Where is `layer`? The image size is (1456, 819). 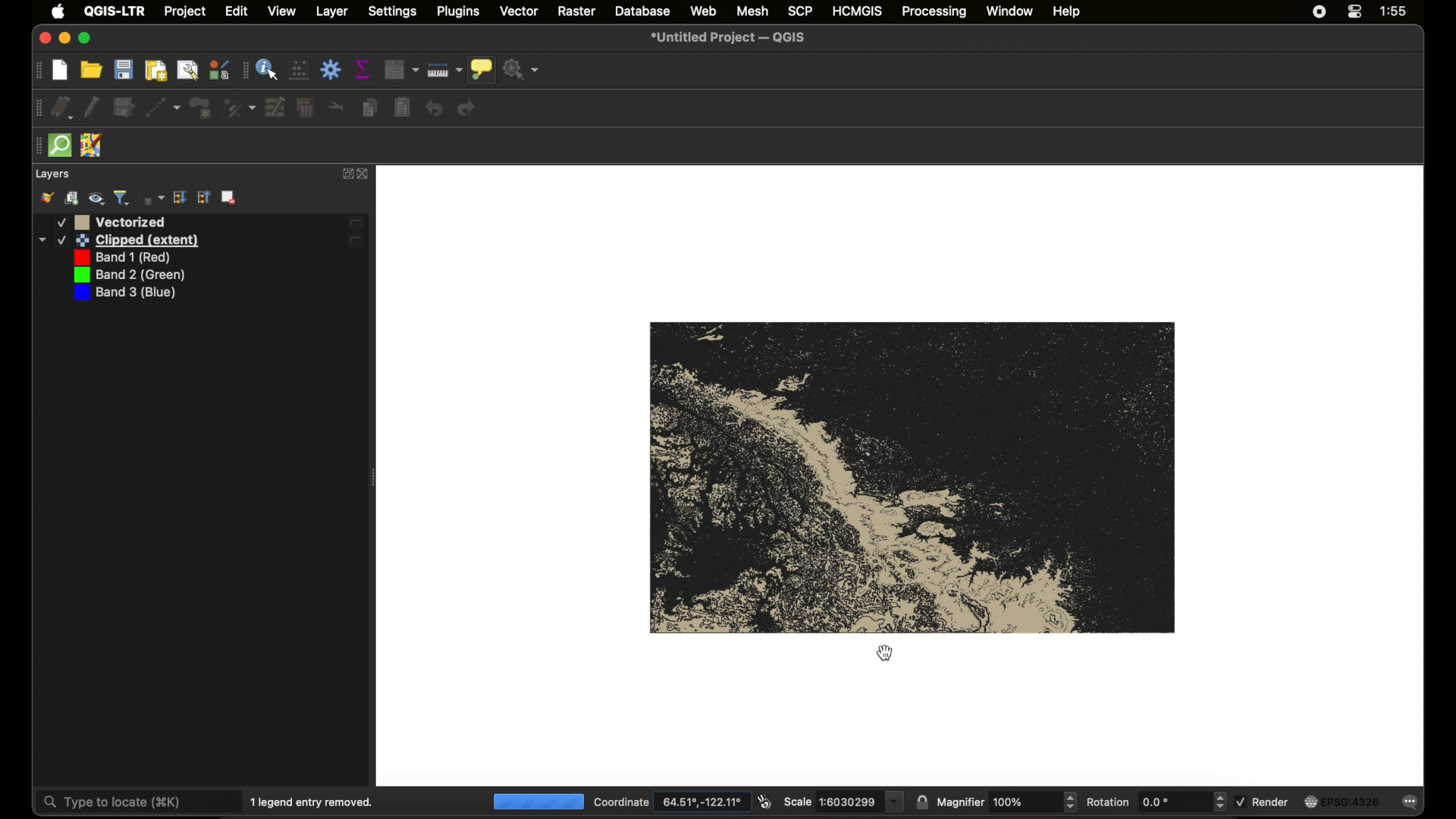 layer is located at coordinates (332, 12).